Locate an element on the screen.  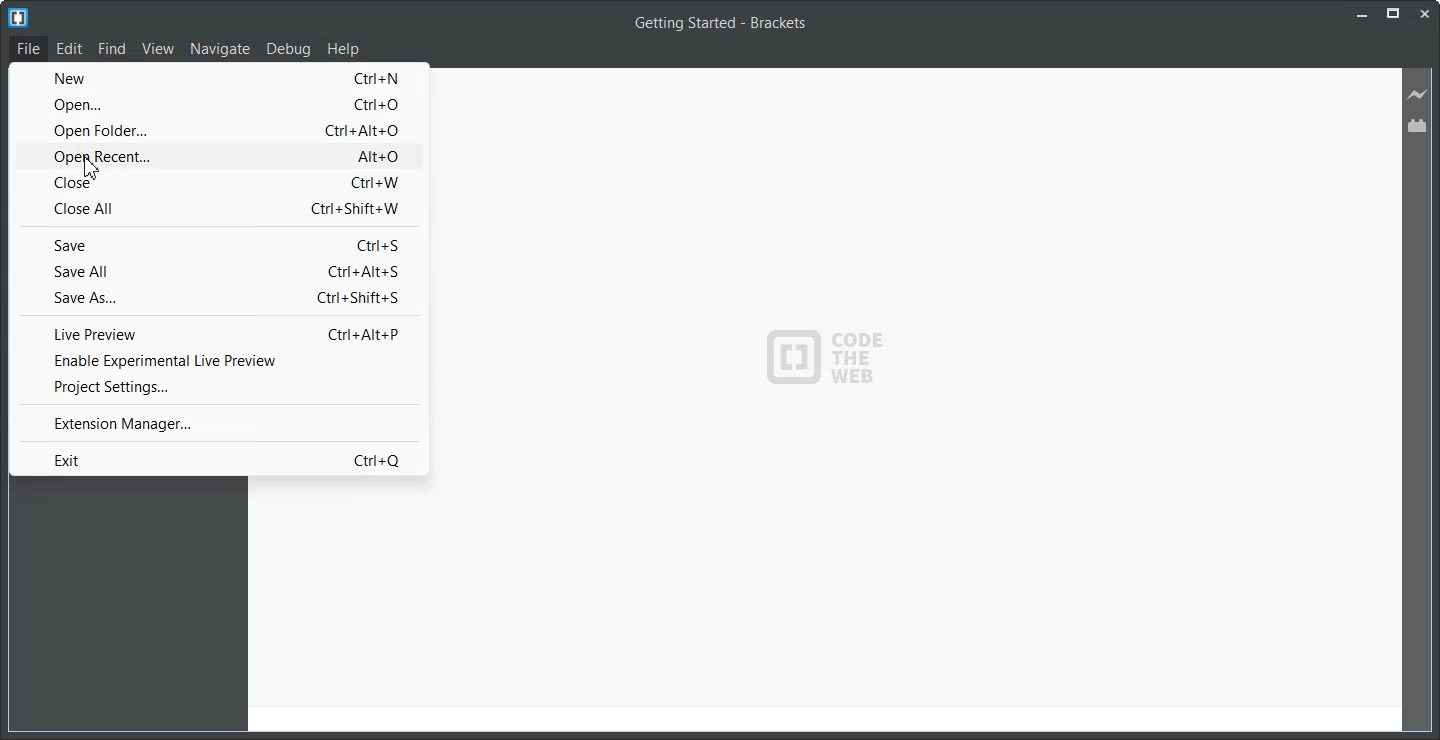
Edit is located at coordinates (70, 48).